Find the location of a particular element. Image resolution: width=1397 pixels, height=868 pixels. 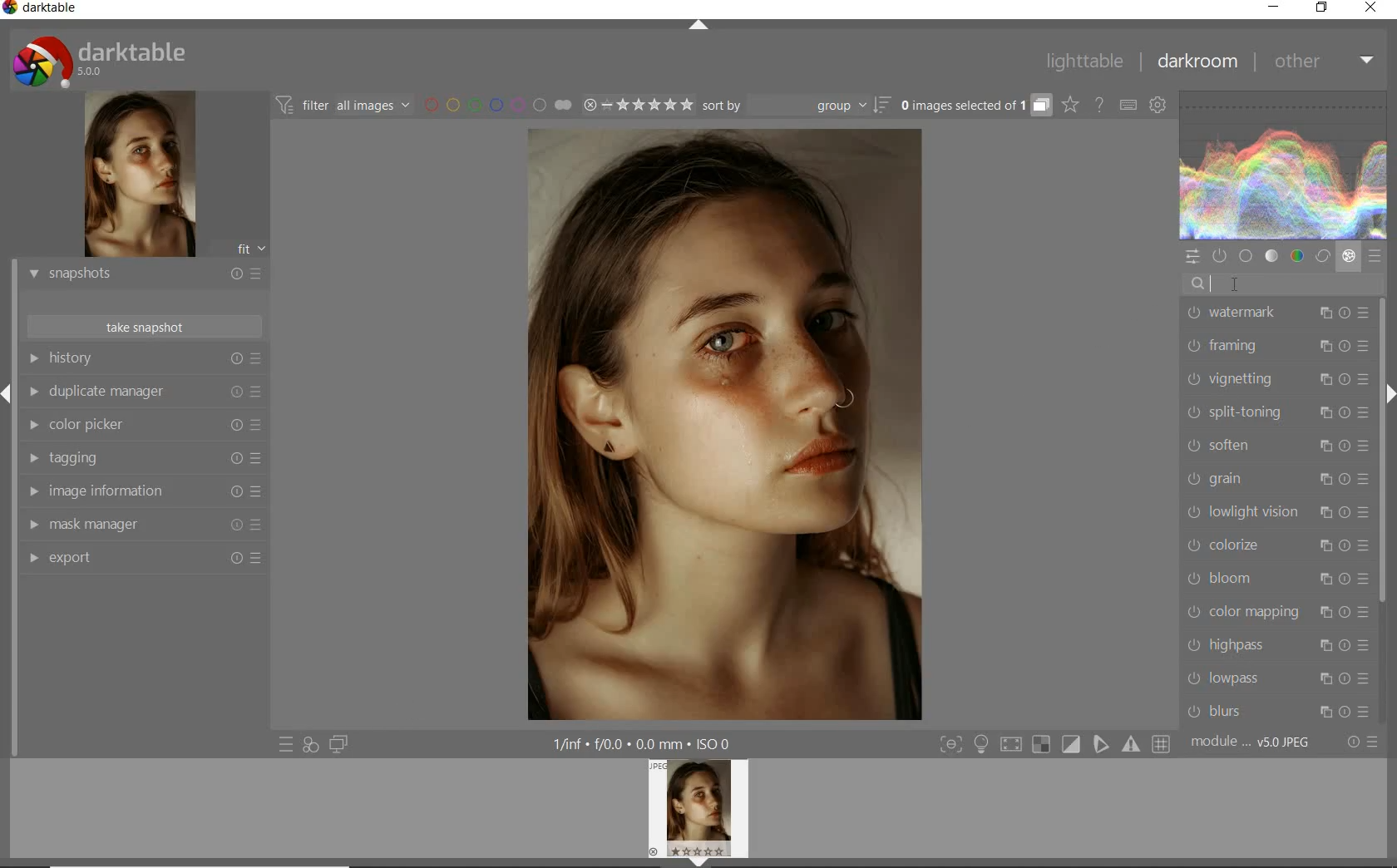

bloom is located at coordinates (1275, 578).